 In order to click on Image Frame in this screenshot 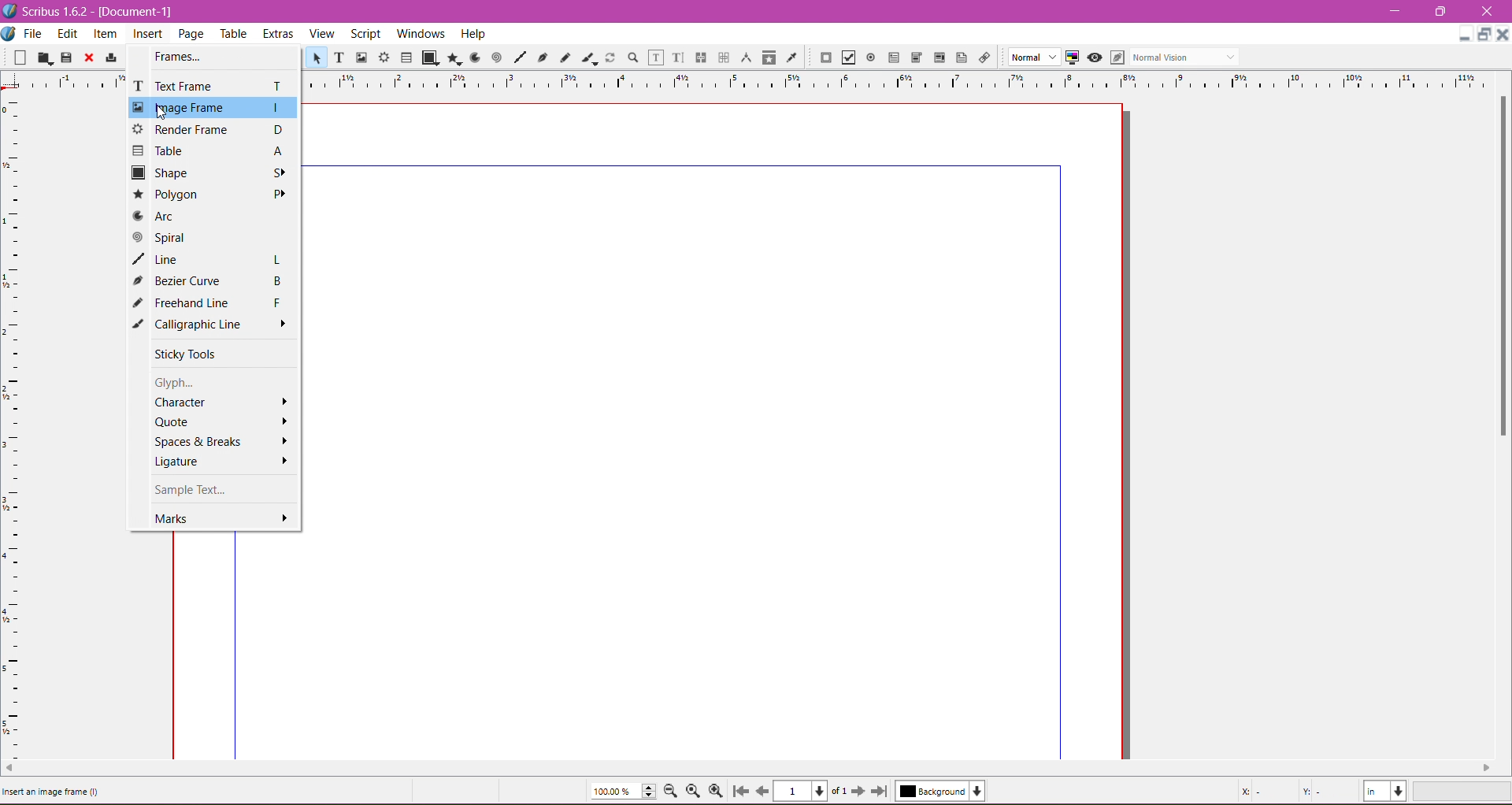, I will do `click(212, 107)`.